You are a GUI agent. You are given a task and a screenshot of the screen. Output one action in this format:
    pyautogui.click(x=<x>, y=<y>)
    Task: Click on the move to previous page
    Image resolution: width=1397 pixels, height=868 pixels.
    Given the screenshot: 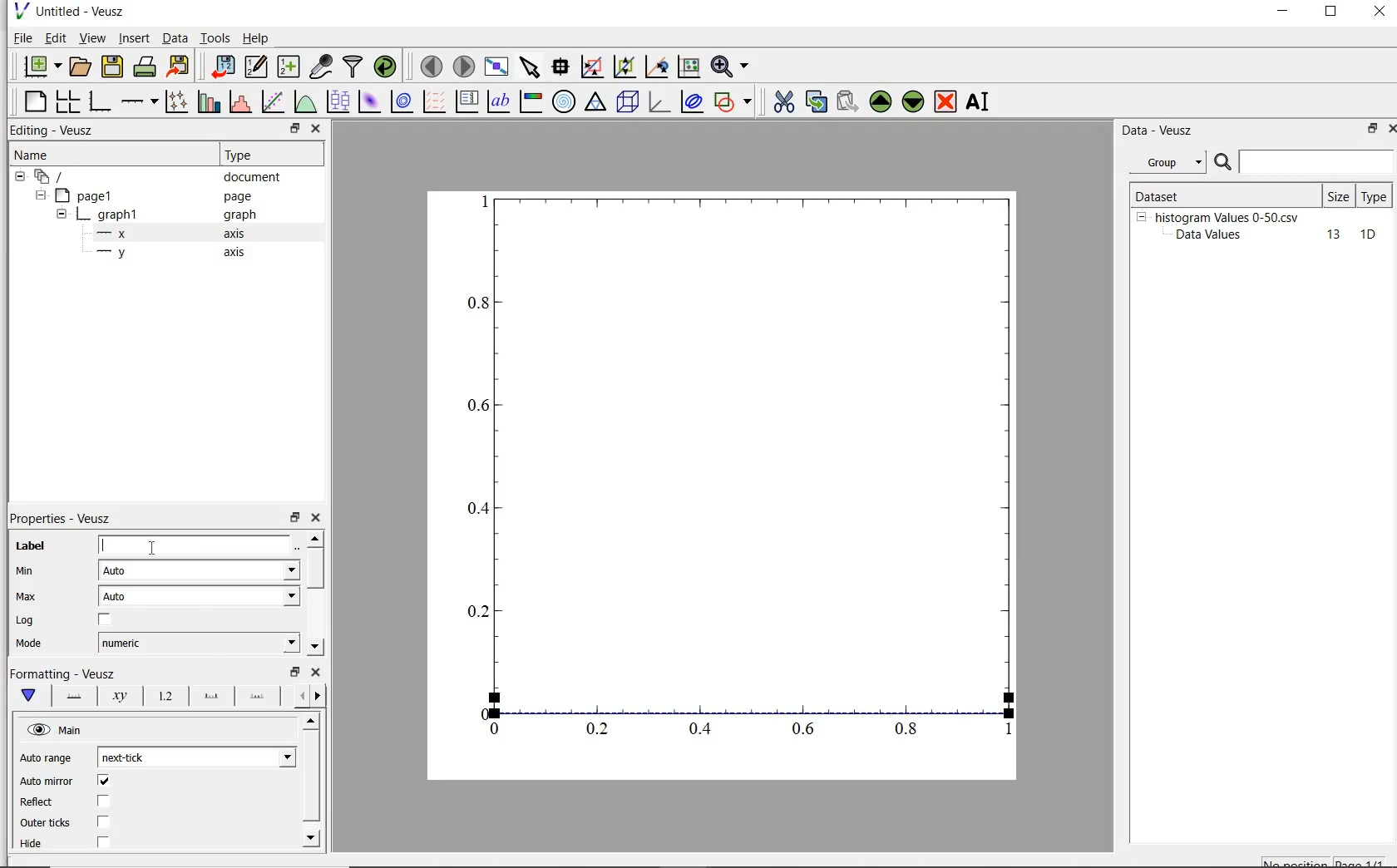 What is the action you would take?
    pyautogui.click(x=431, y=67)
    